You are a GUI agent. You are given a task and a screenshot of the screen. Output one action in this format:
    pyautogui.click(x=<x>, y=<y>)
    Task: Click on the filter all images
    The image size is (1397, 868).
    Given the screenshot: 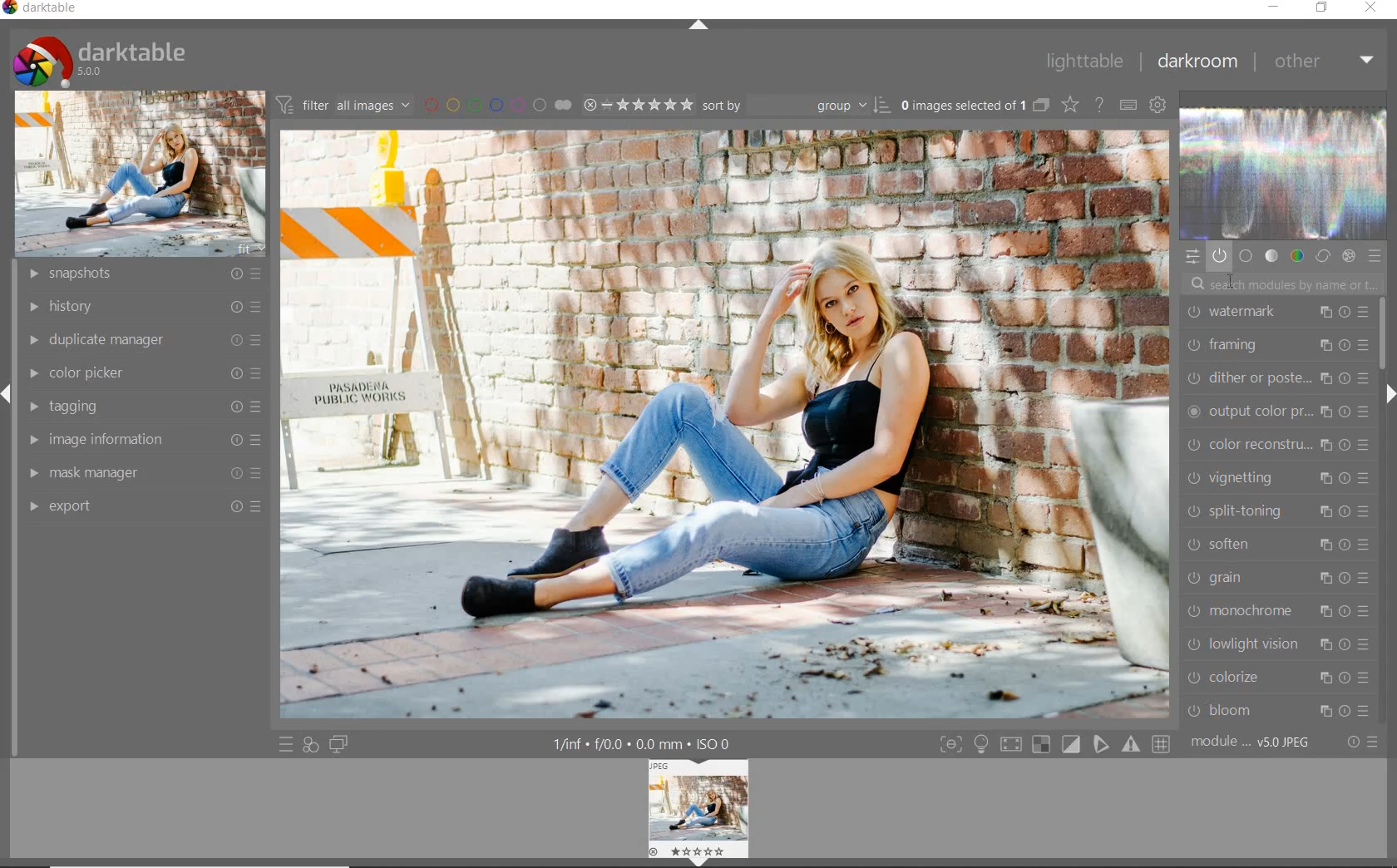 What is the action you would take?
    pyautogui.click(x=340, y=104)
    